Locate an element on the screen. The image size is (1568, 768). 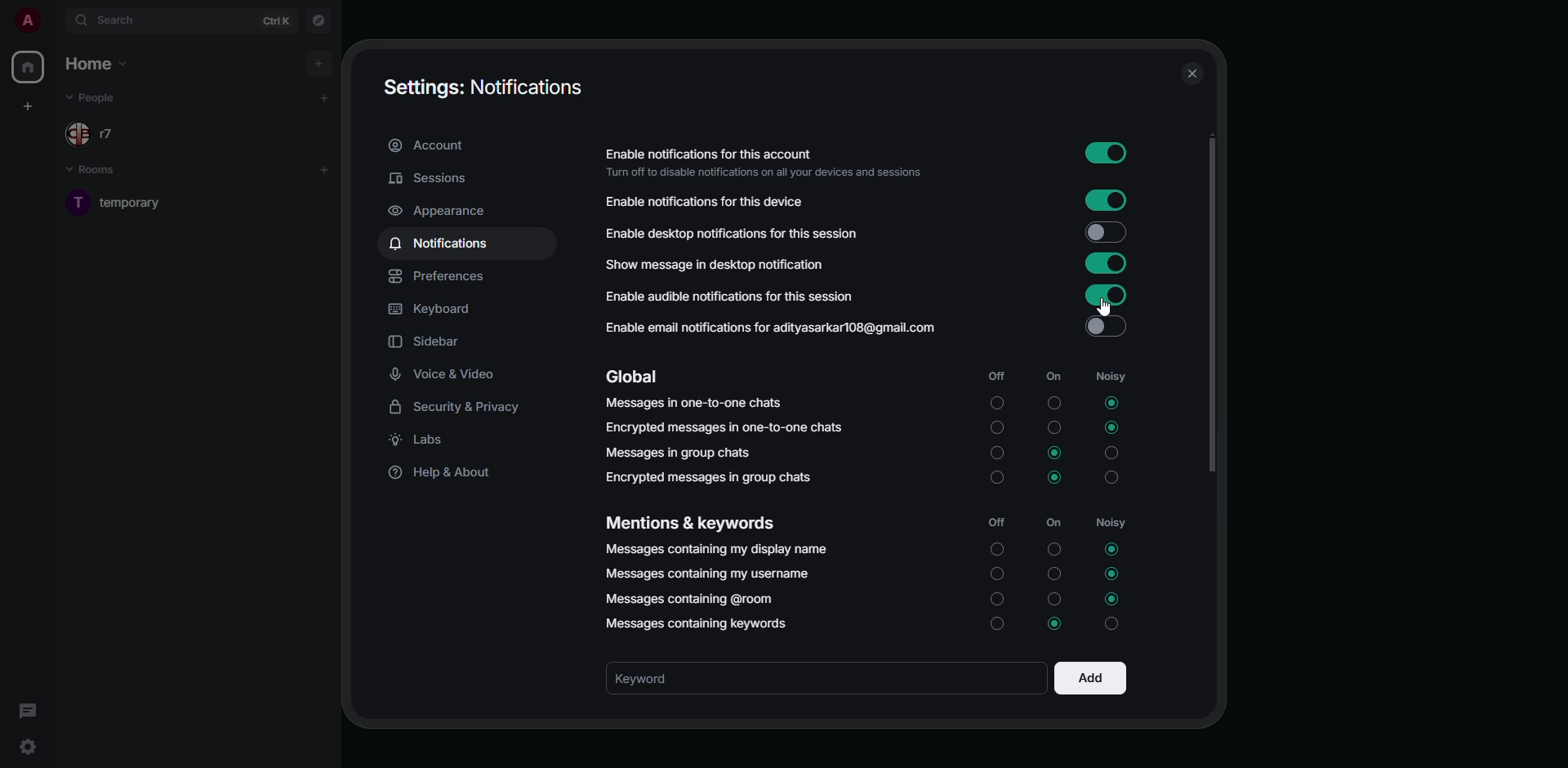
keyboard is located at coordinates (431, 310).